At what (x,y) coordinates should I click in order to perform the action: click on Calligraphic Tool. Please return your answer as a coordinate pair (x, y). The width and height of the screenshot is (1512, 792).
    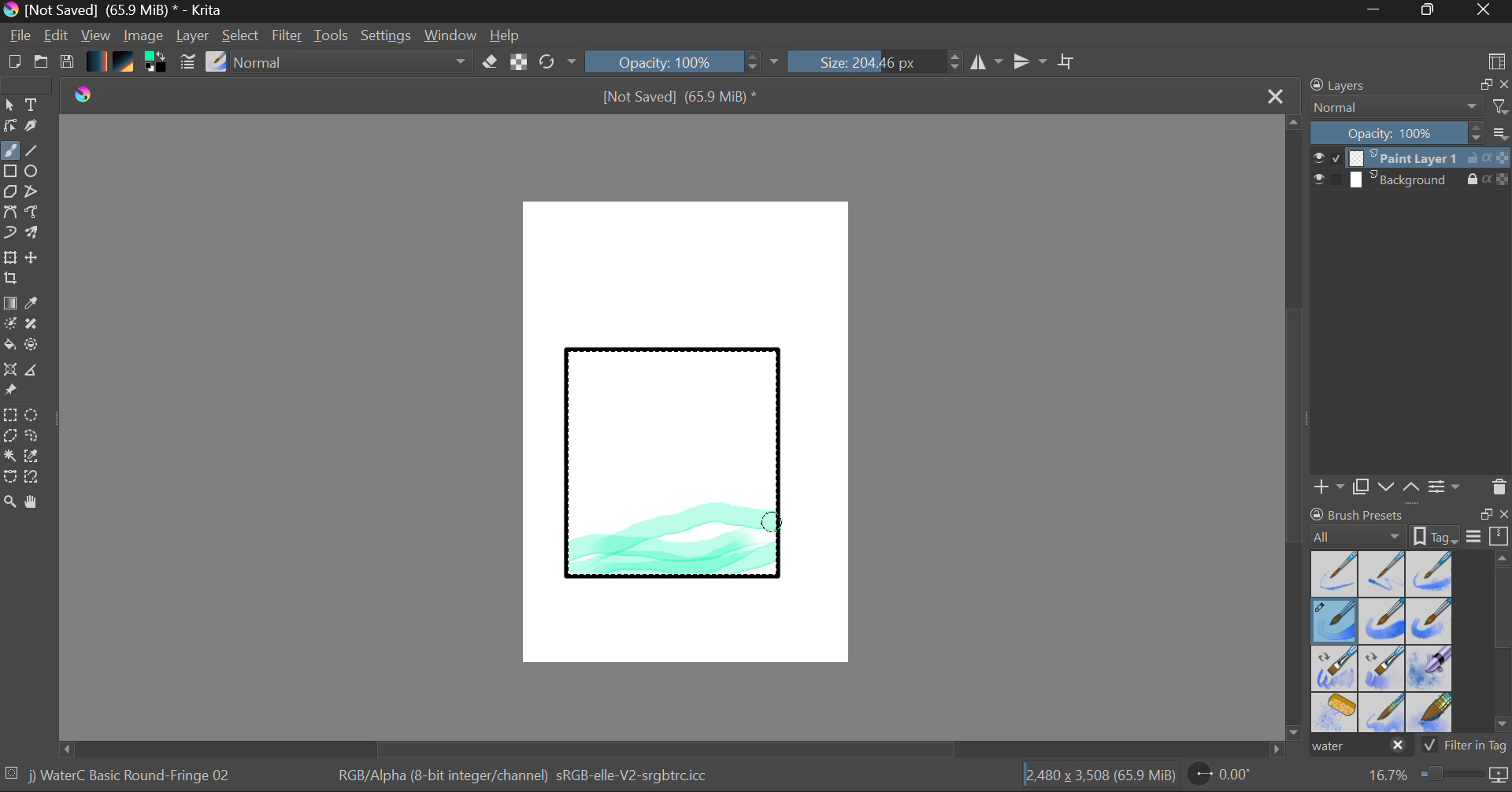
    Looking at the image, I should click on (37, 129).